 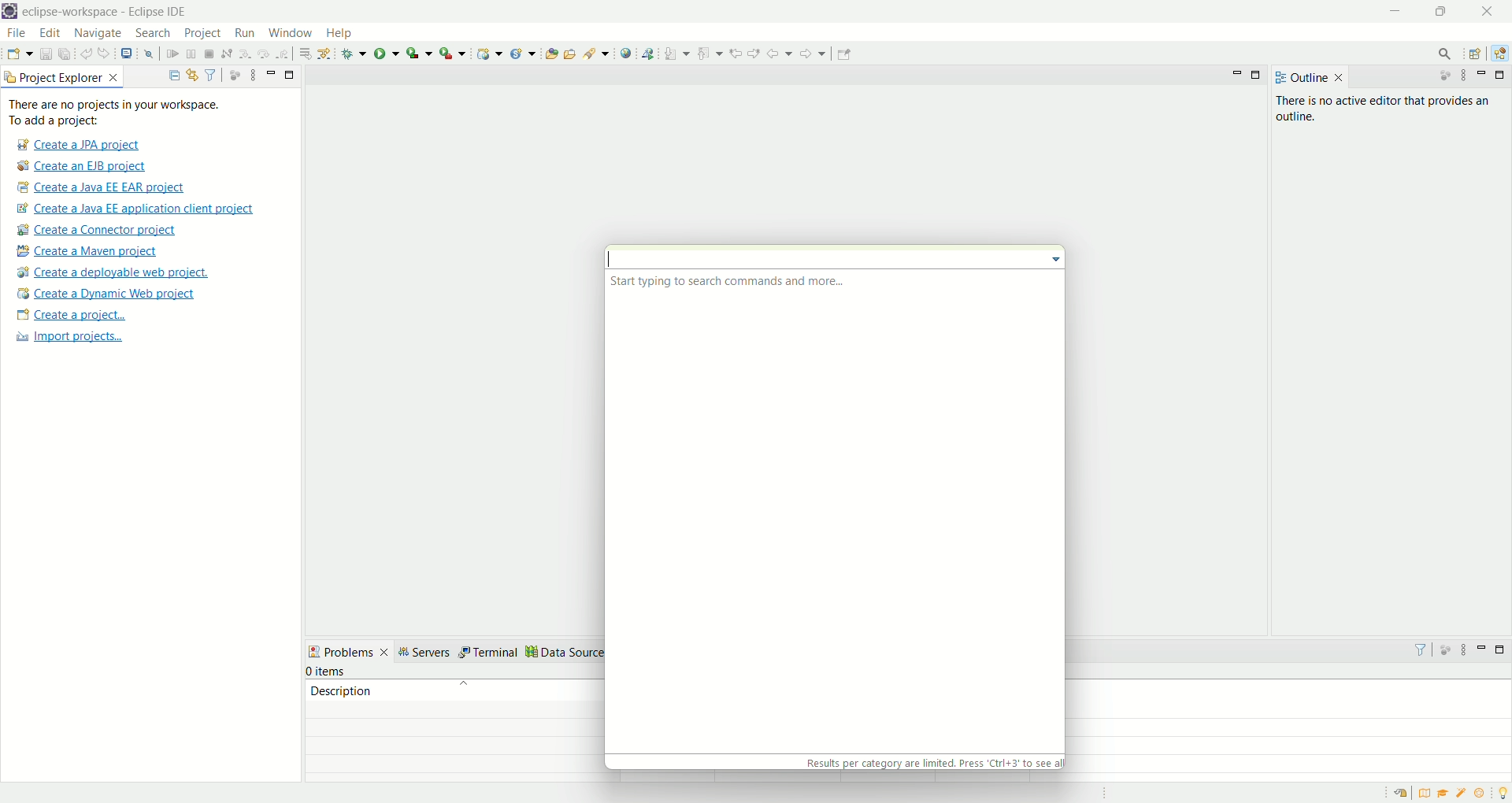 I want to click on previous annotation, so click(x=706, y=54).